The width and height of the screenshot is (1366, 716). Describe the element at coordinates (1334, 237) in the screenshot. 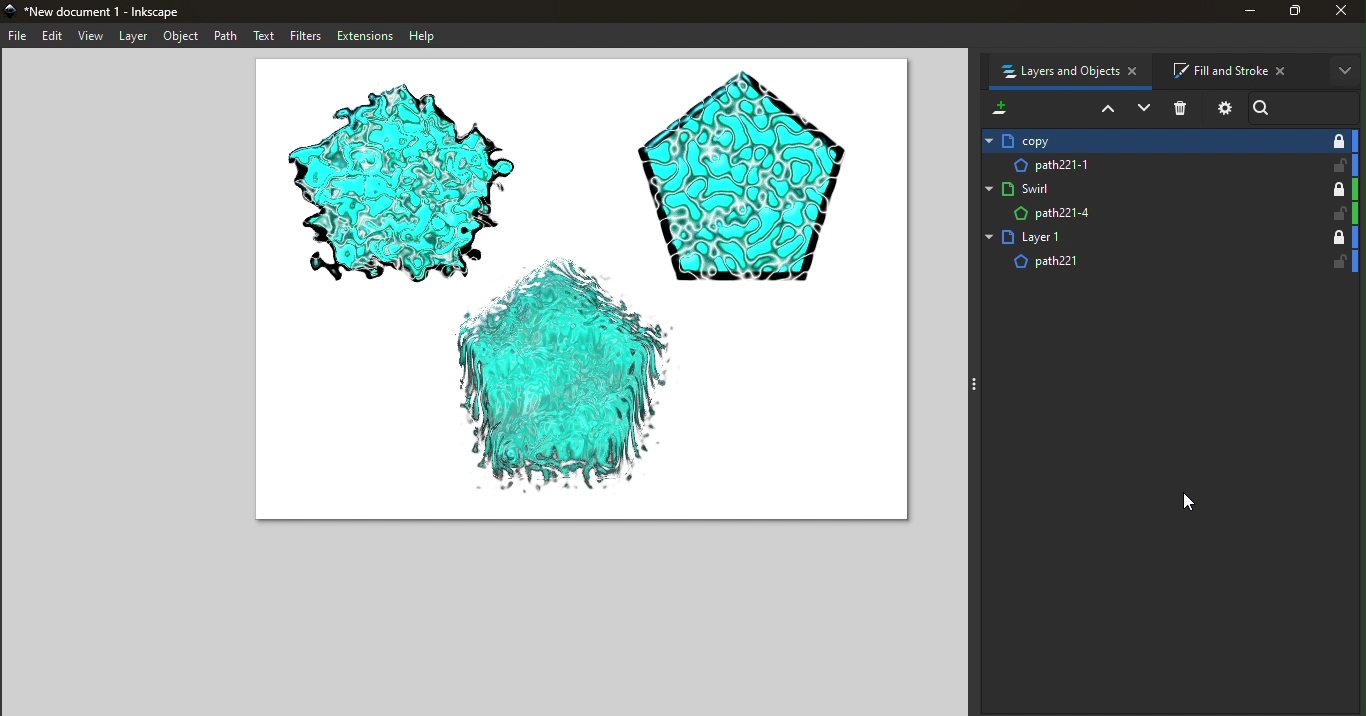

I see `lock/unlock layer` at that location.